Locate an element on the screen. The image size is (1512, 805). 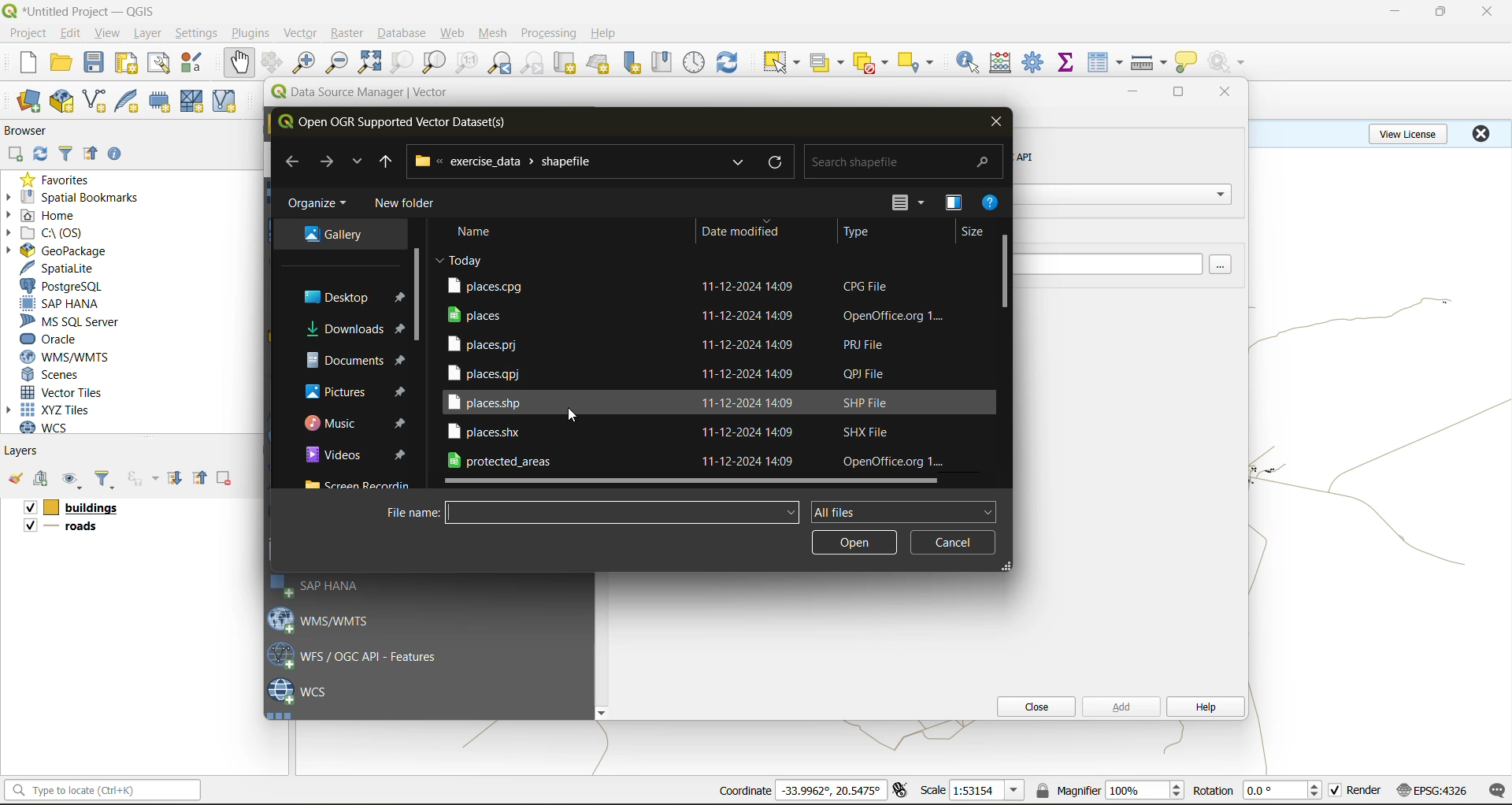
file/folder names is located at coordinates (671, 343).